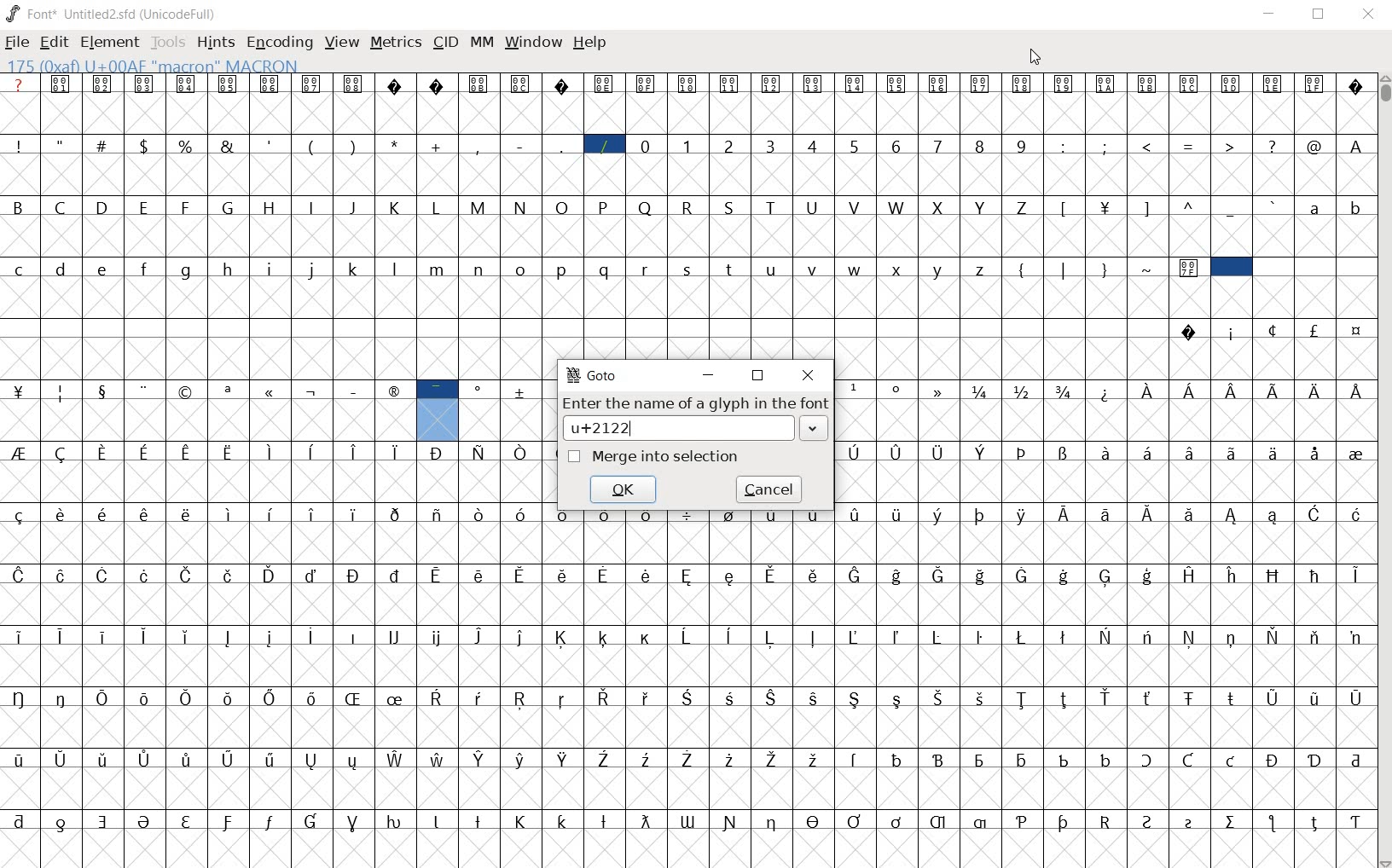  I want to click on slot, so click(1290, 289).